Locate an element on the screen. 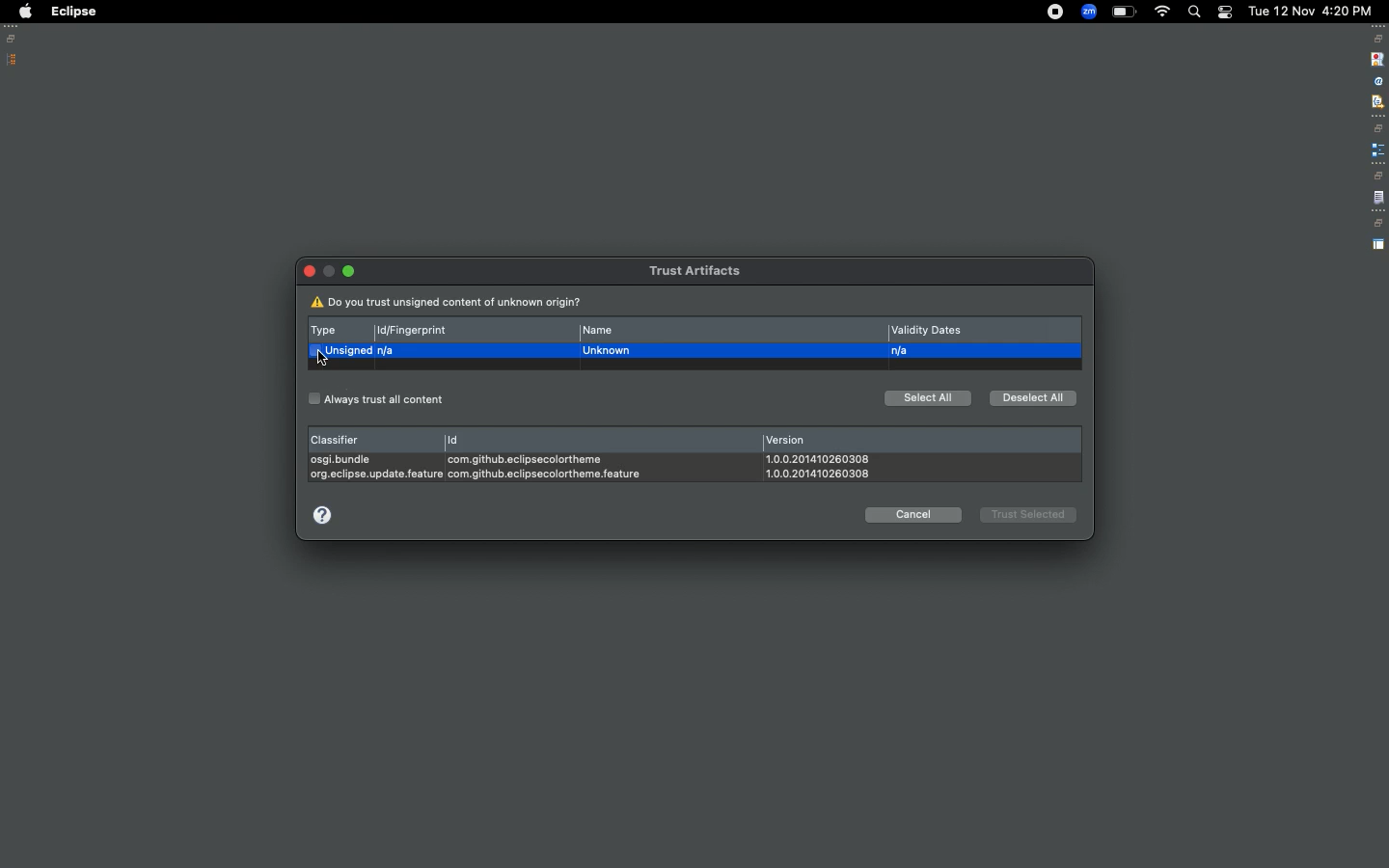 This screenshot has width=1389, height=868. file is located at coordinates (1378, 199).